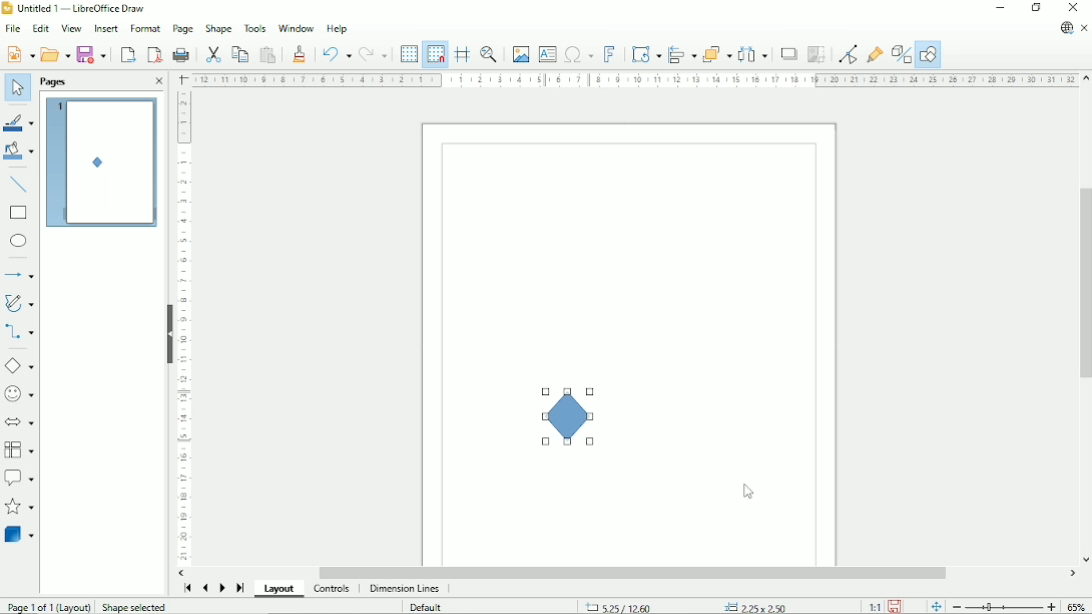  Describe the element at coordinates (335, 53) in the screenshot. I see `Undo` at that location.